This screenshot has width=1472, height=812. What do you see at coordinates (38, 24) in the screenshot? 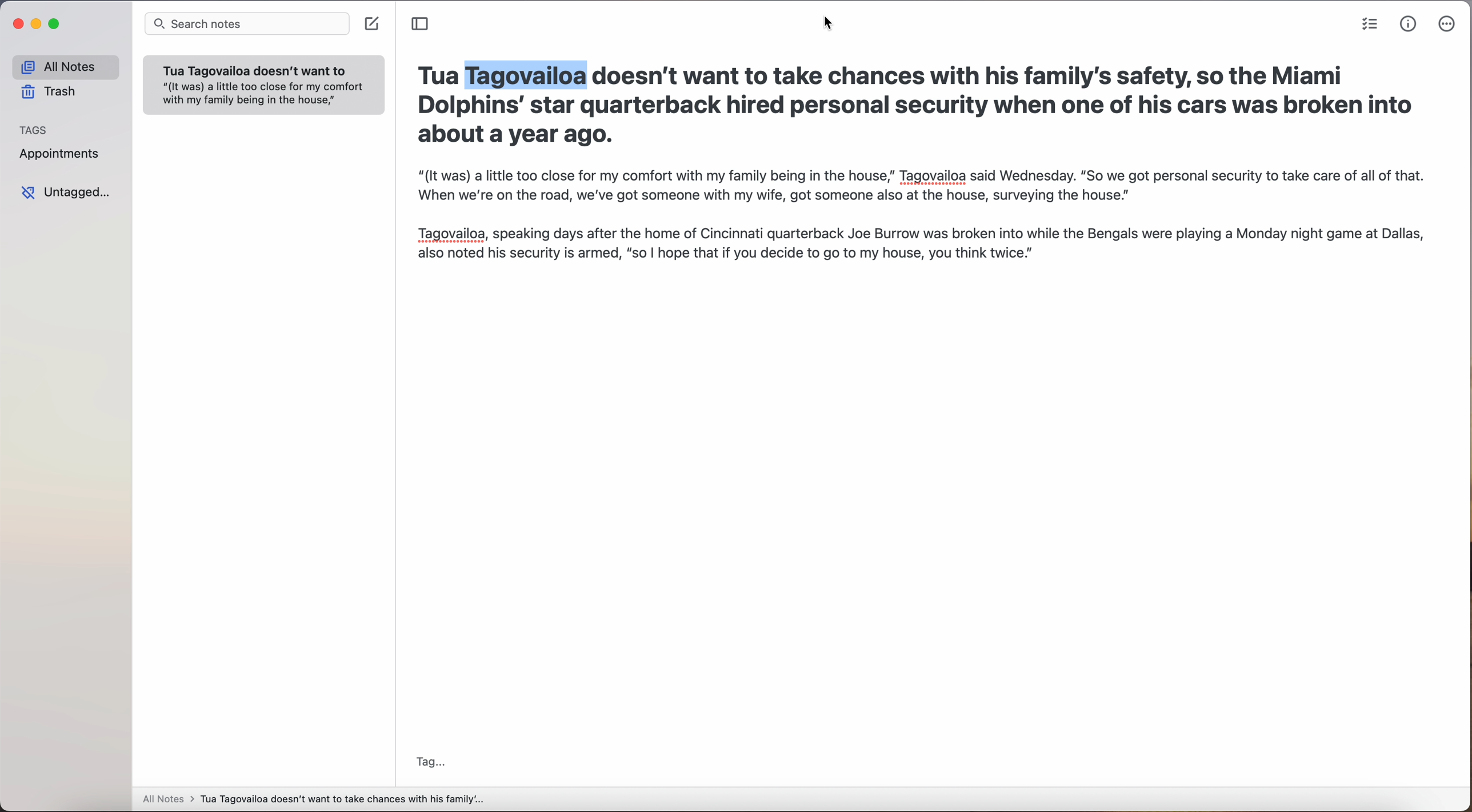
I see `minimize Simplenote` at bounding box center [38, 24].